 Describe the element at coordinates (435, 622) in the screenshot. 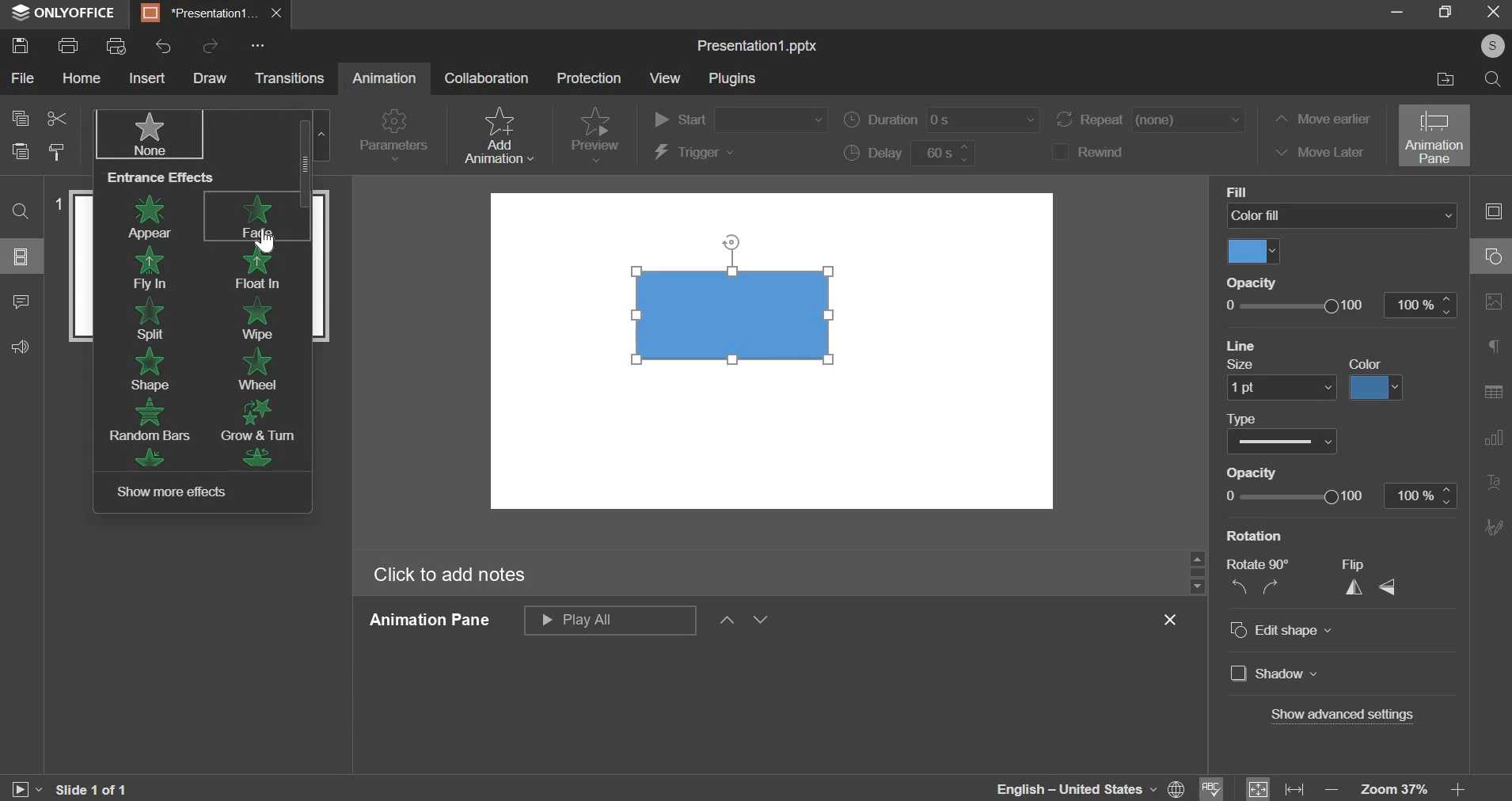

I see `Animation Pane` at that location.